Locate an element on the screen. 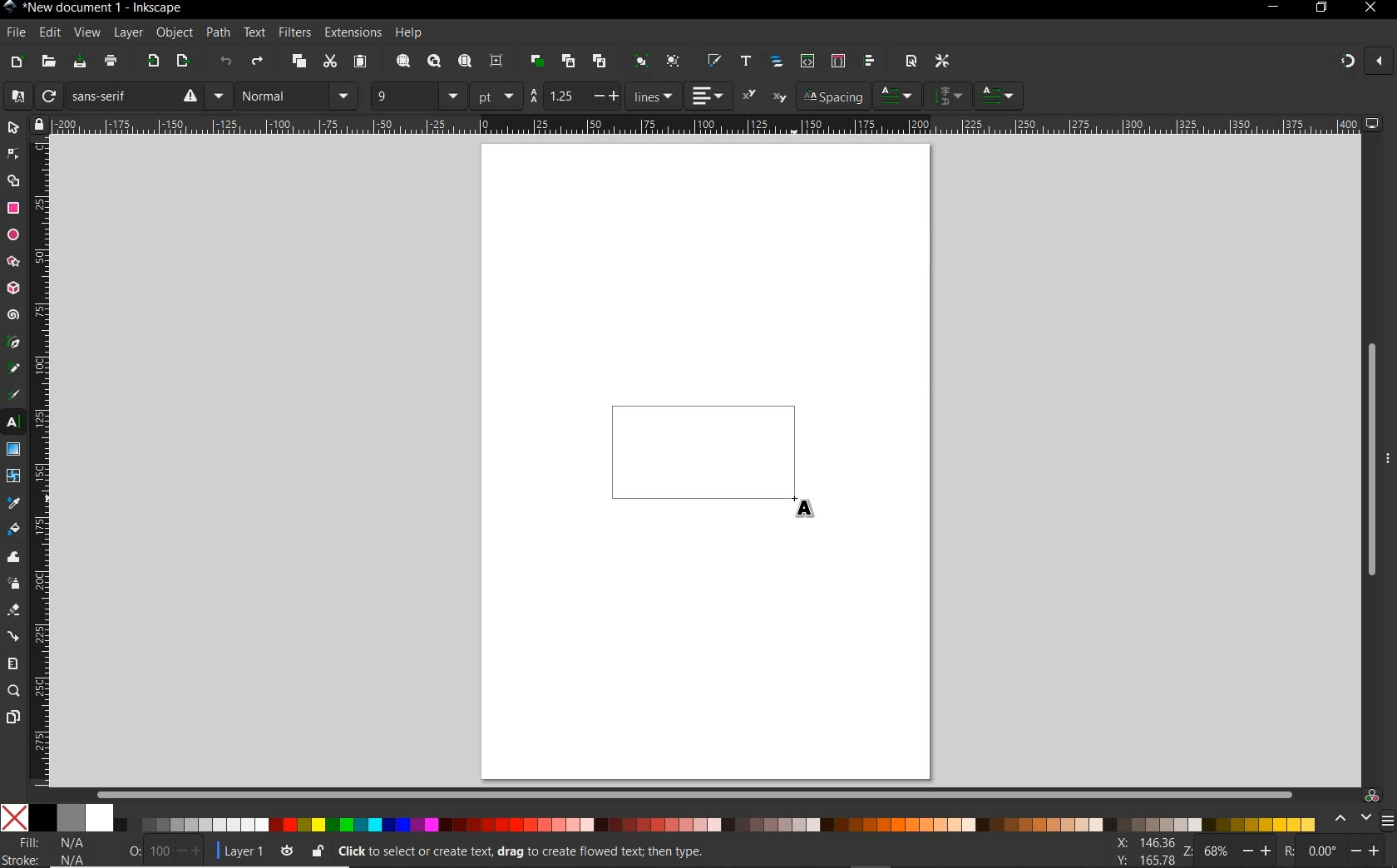  calligraphy tool is located at coordinates (16, 395).